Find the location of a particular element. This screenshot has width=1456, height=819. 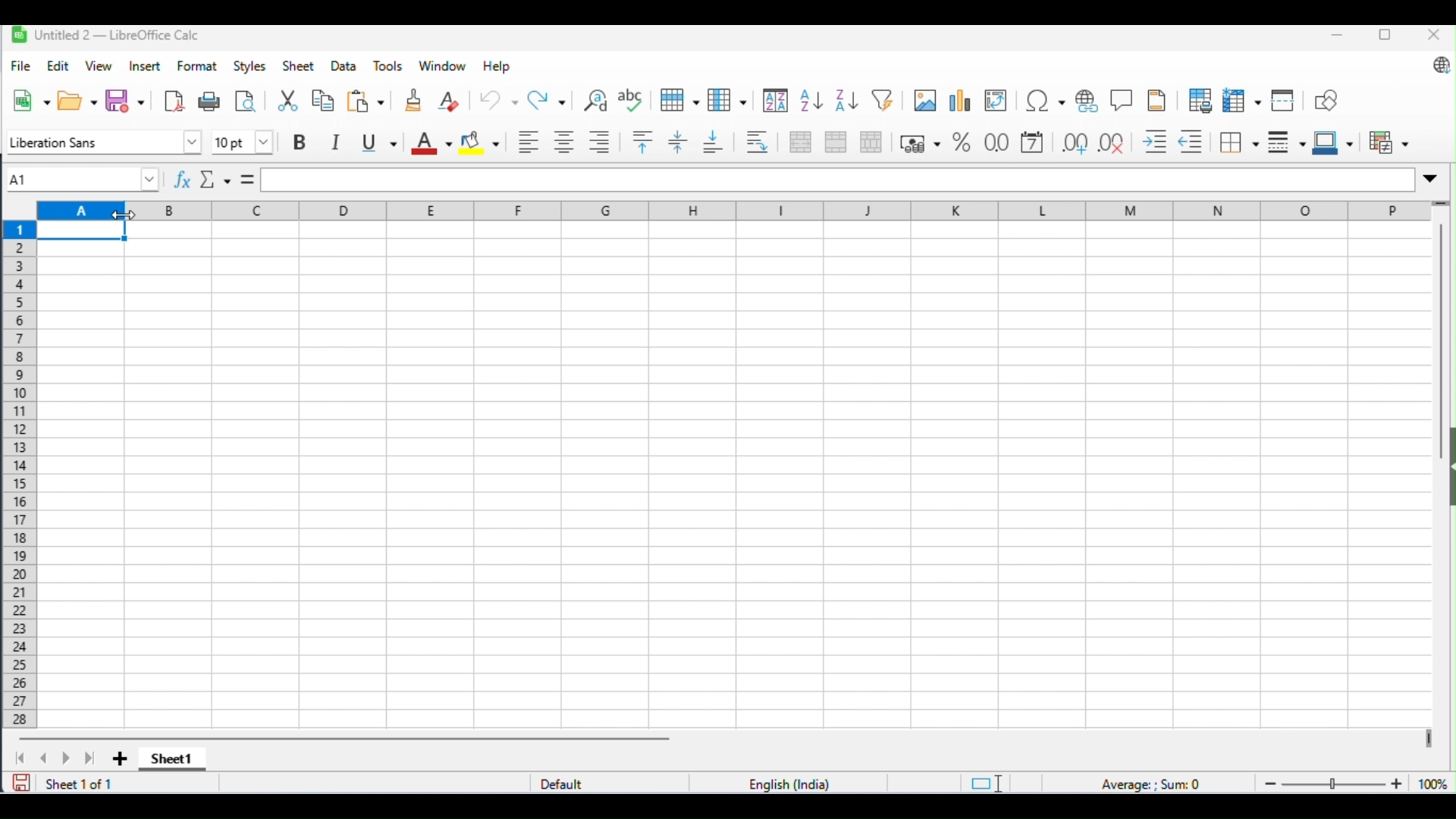

increase indent is located at coordinates (1156, 142).